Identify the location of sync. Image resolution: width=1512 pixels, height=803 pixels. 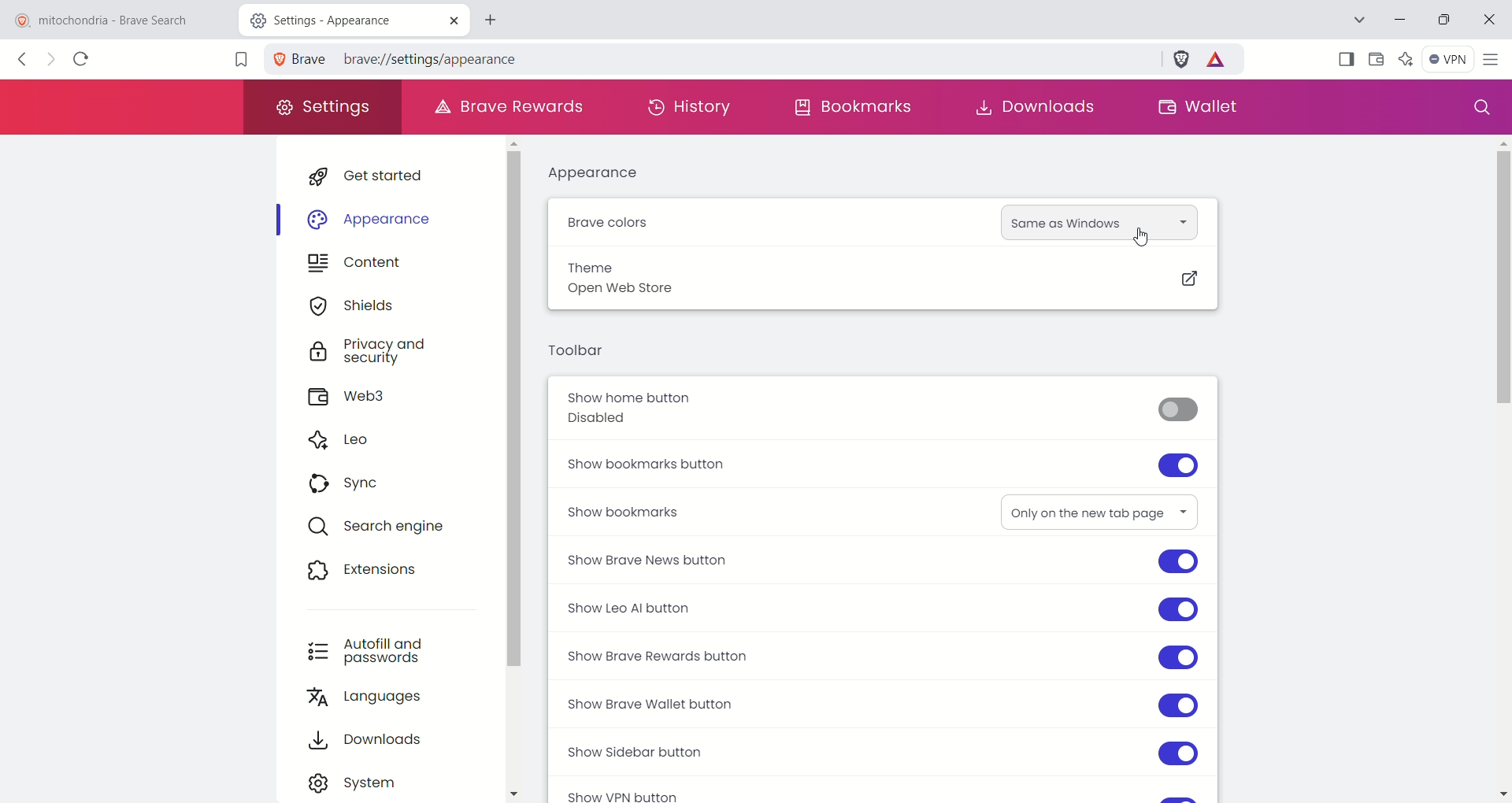
(354, 486).